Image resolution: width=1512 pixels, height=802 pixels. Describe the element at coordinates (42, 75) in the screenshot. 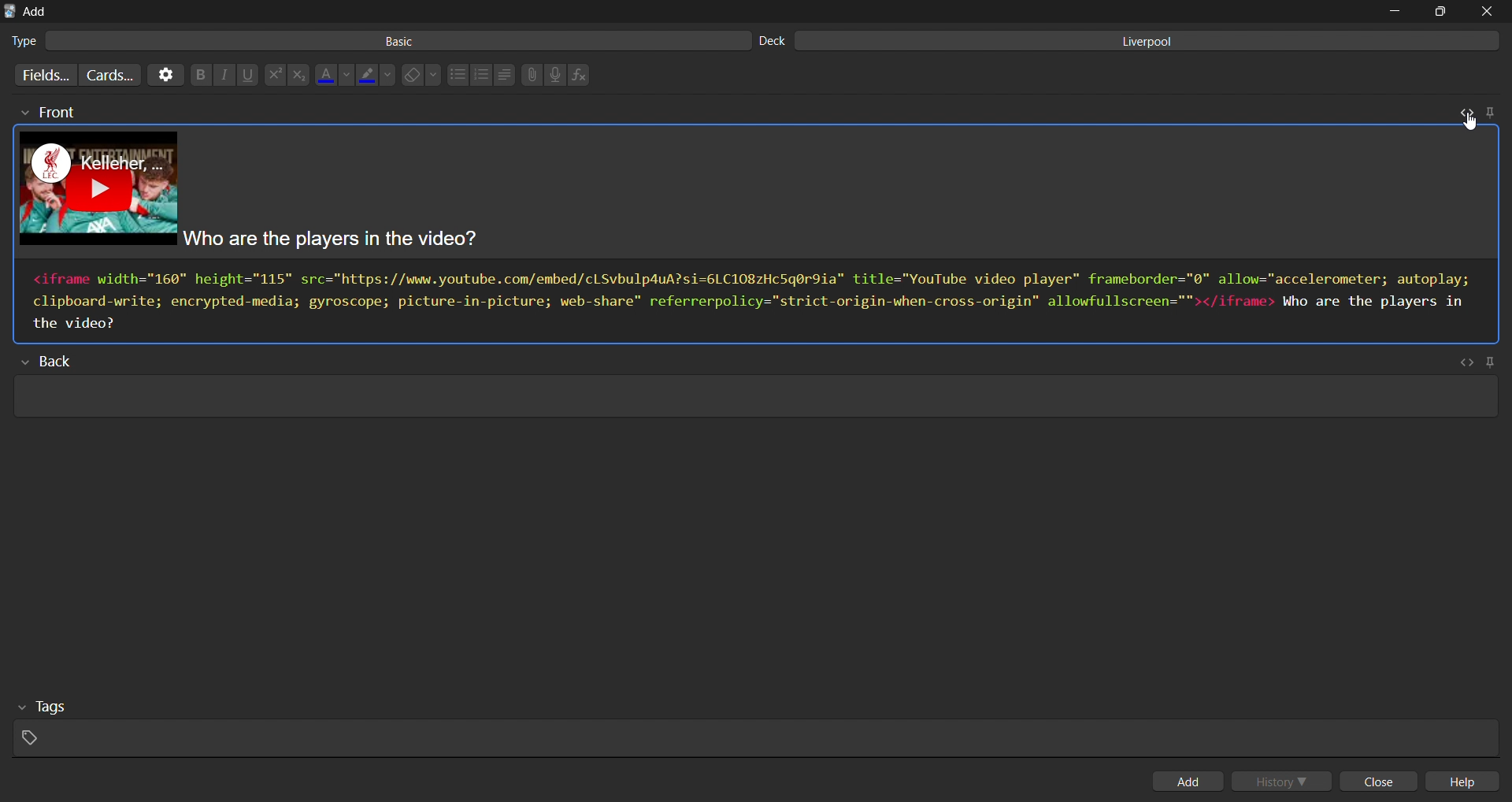

I see `customize fields` at that location.